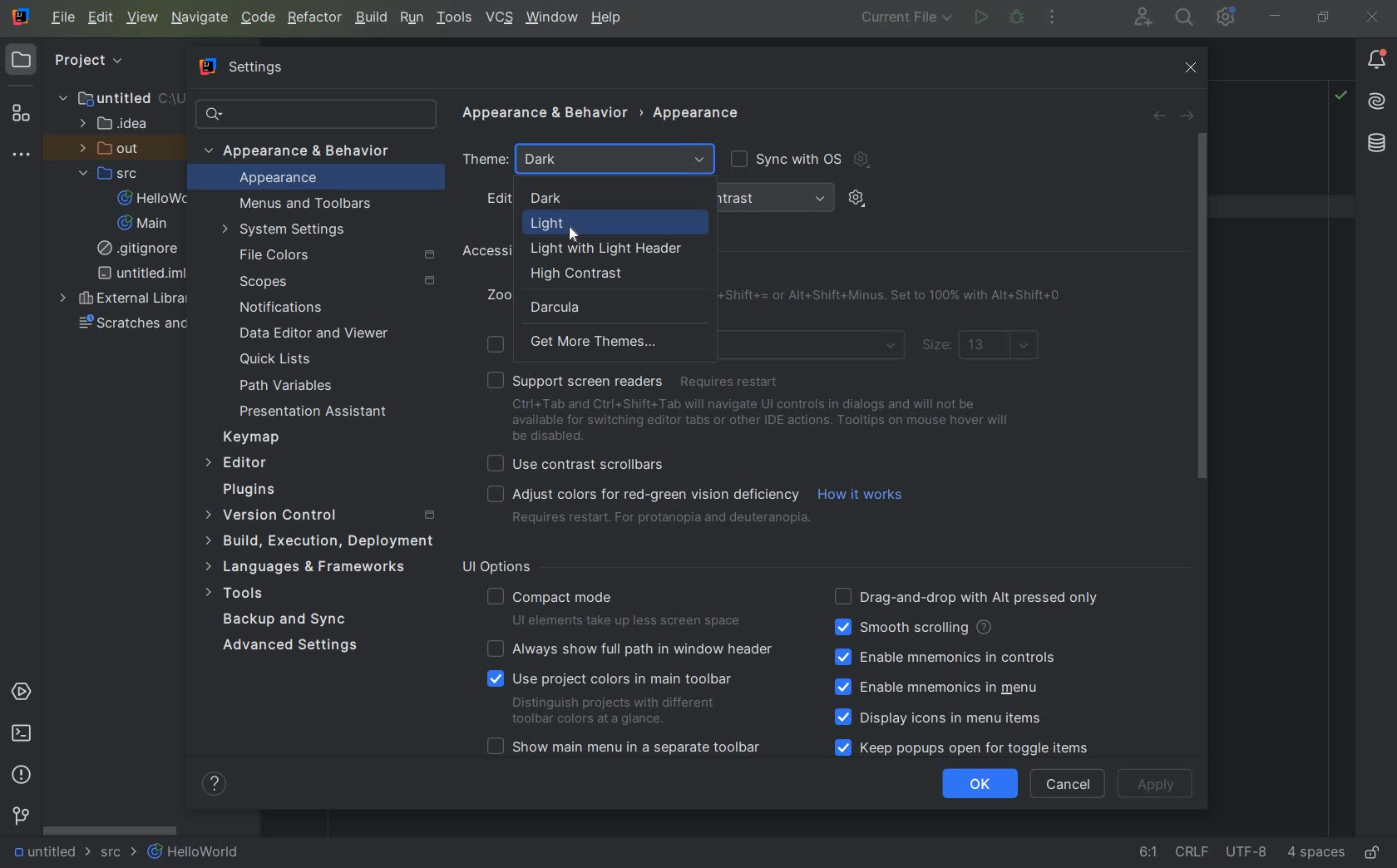 This screenshot has width=1397, height=868. Describe the element at coordinates (314, 114) in the screenshot. I see `SEARCH SETTINGS` at that location.